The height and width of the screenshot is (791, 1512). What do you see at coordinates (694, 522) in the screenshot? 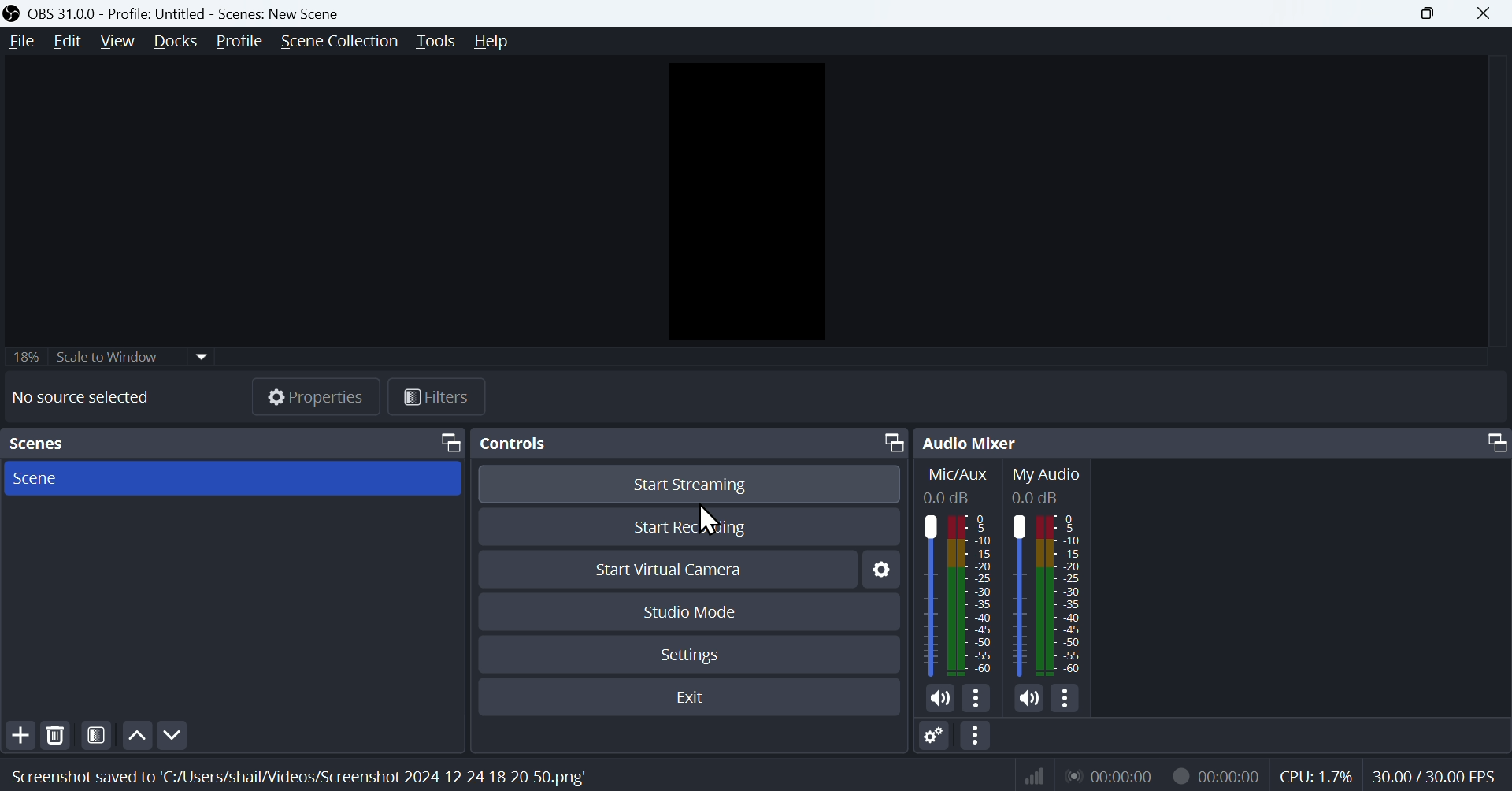
I see `Start Recording` at bounding box center [694, 522].